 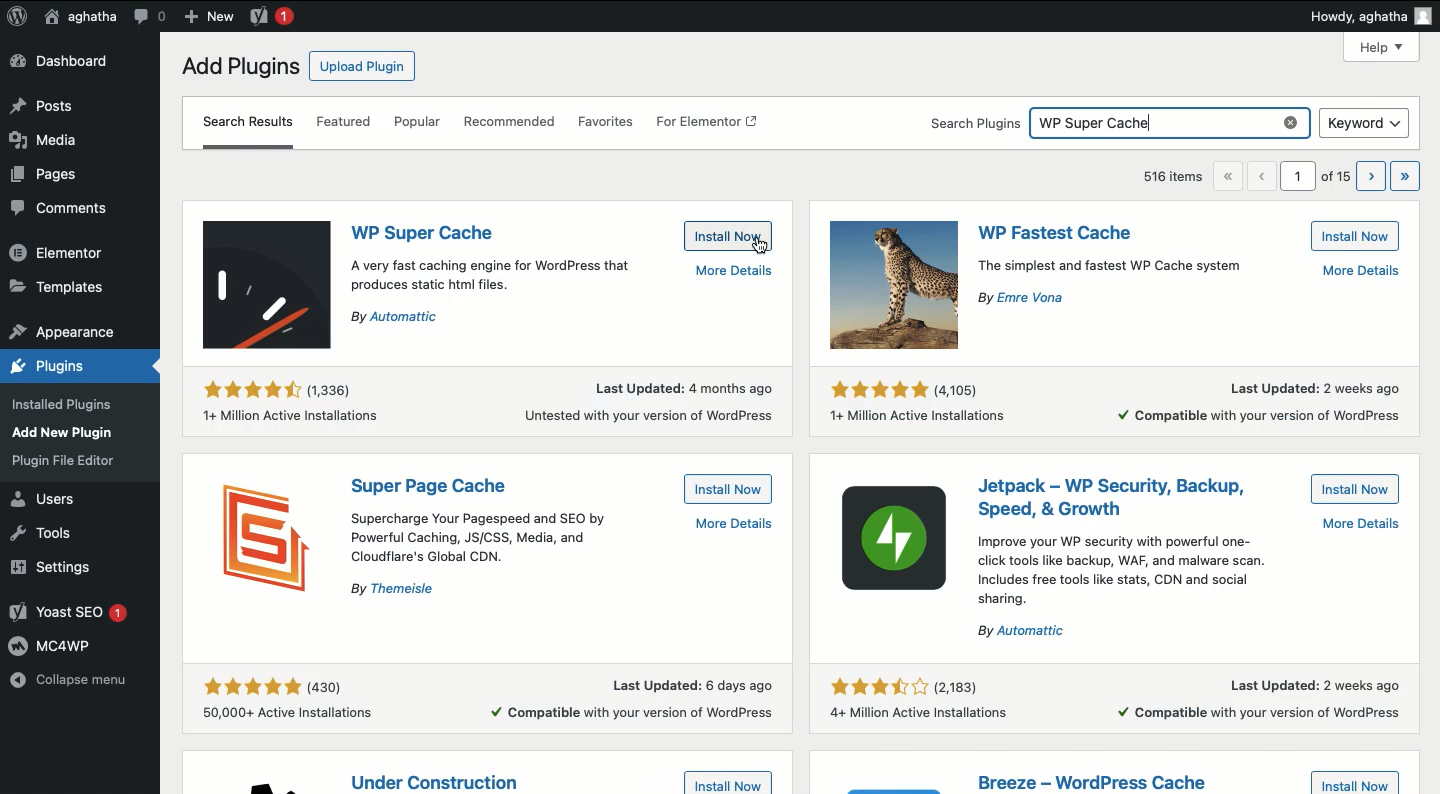 What do you see at coordinates (1354, 235) in the screenshot?
I see `Install now` at bounding box center [1354, 235].